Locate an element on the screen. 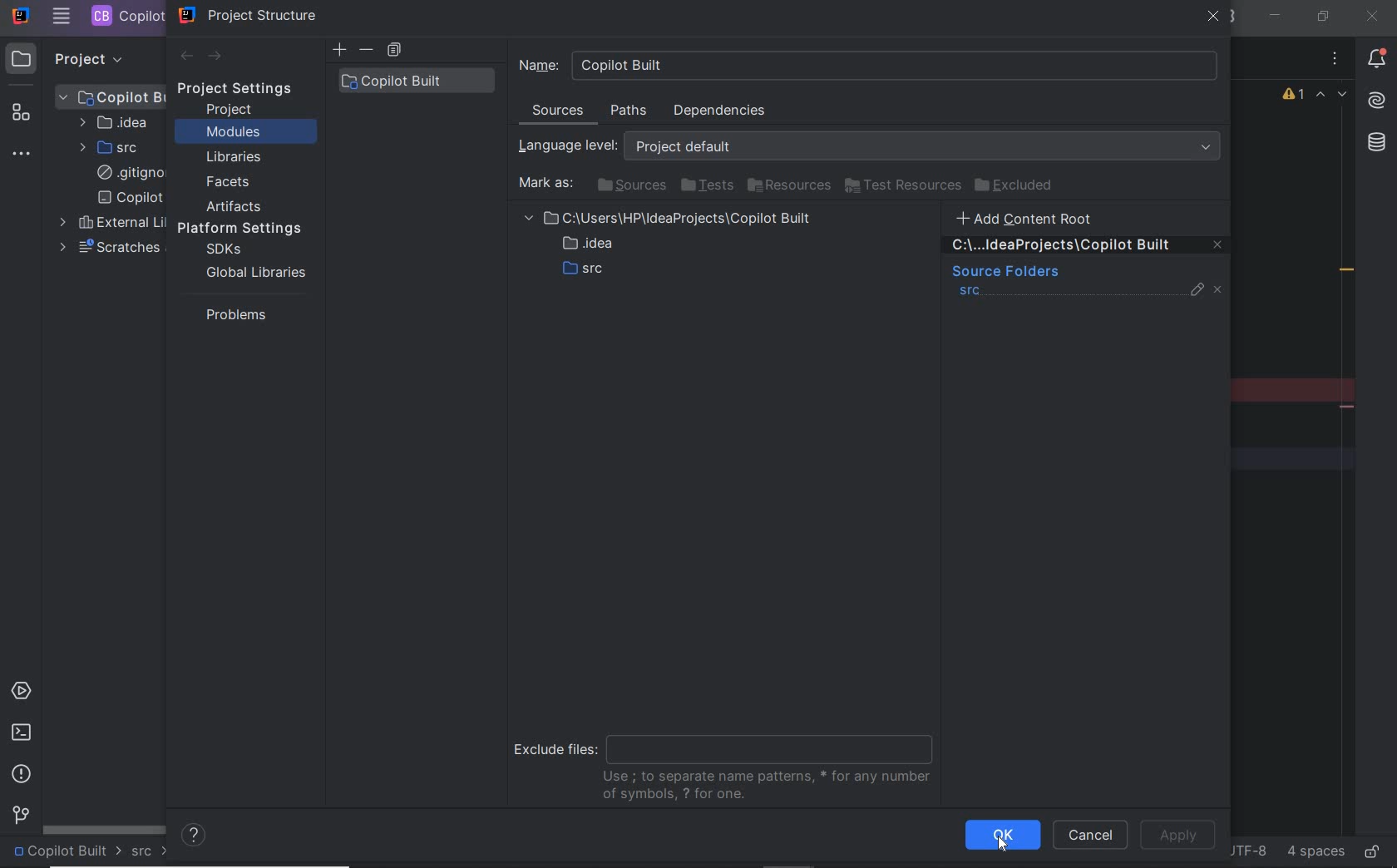  more tool windows is located at coordinates (23, 155).